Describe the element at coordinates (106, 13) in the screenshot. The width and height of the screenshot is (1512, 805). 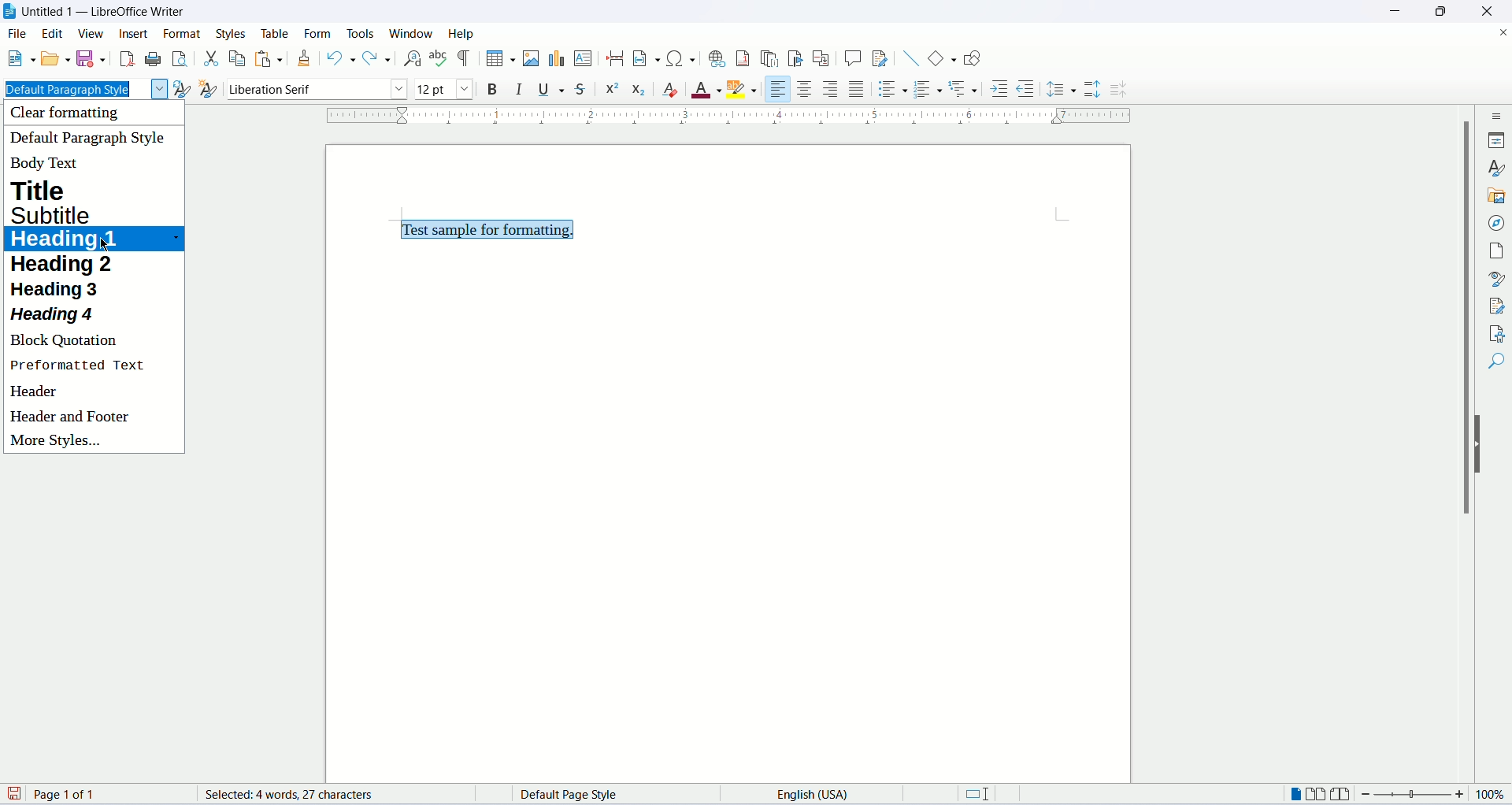
I see `title` at that location.